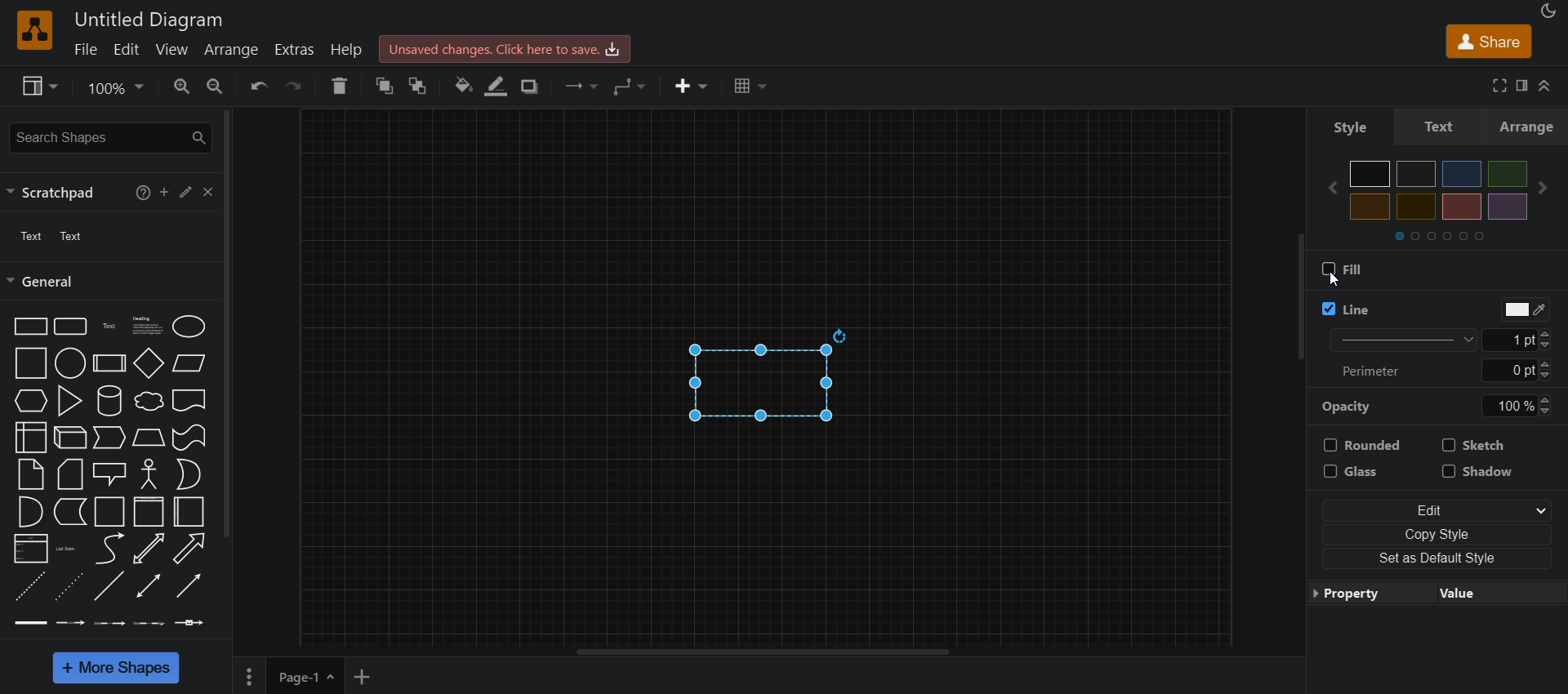 Image resolution: width=1568 pixels, height=694 pixels. Describe the element at coordinates (125, 50) in the screenshot. I see `edit` at that location.